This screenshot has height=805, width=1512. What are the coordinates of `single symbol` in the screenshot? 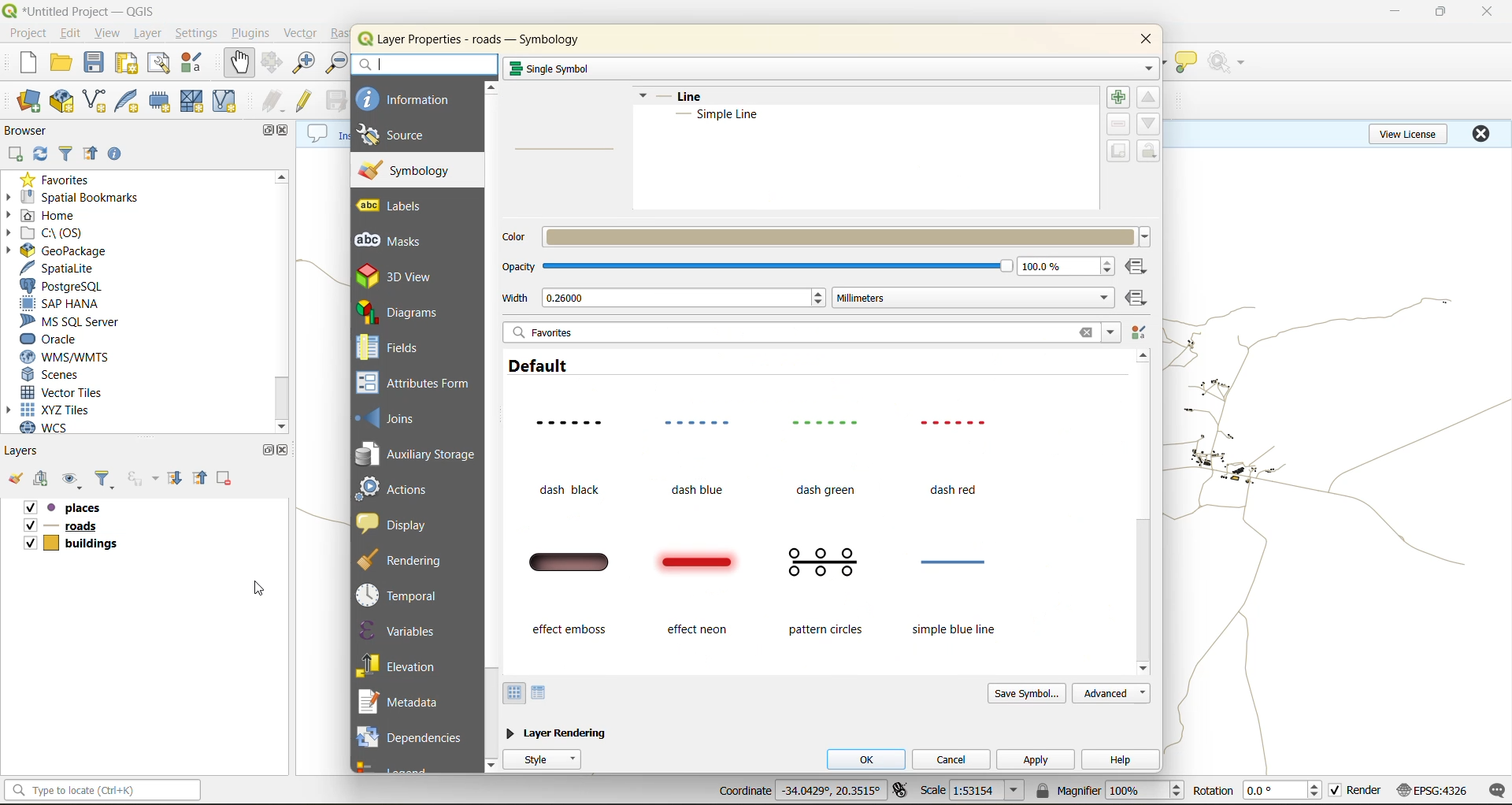 It's located at (558, 68).